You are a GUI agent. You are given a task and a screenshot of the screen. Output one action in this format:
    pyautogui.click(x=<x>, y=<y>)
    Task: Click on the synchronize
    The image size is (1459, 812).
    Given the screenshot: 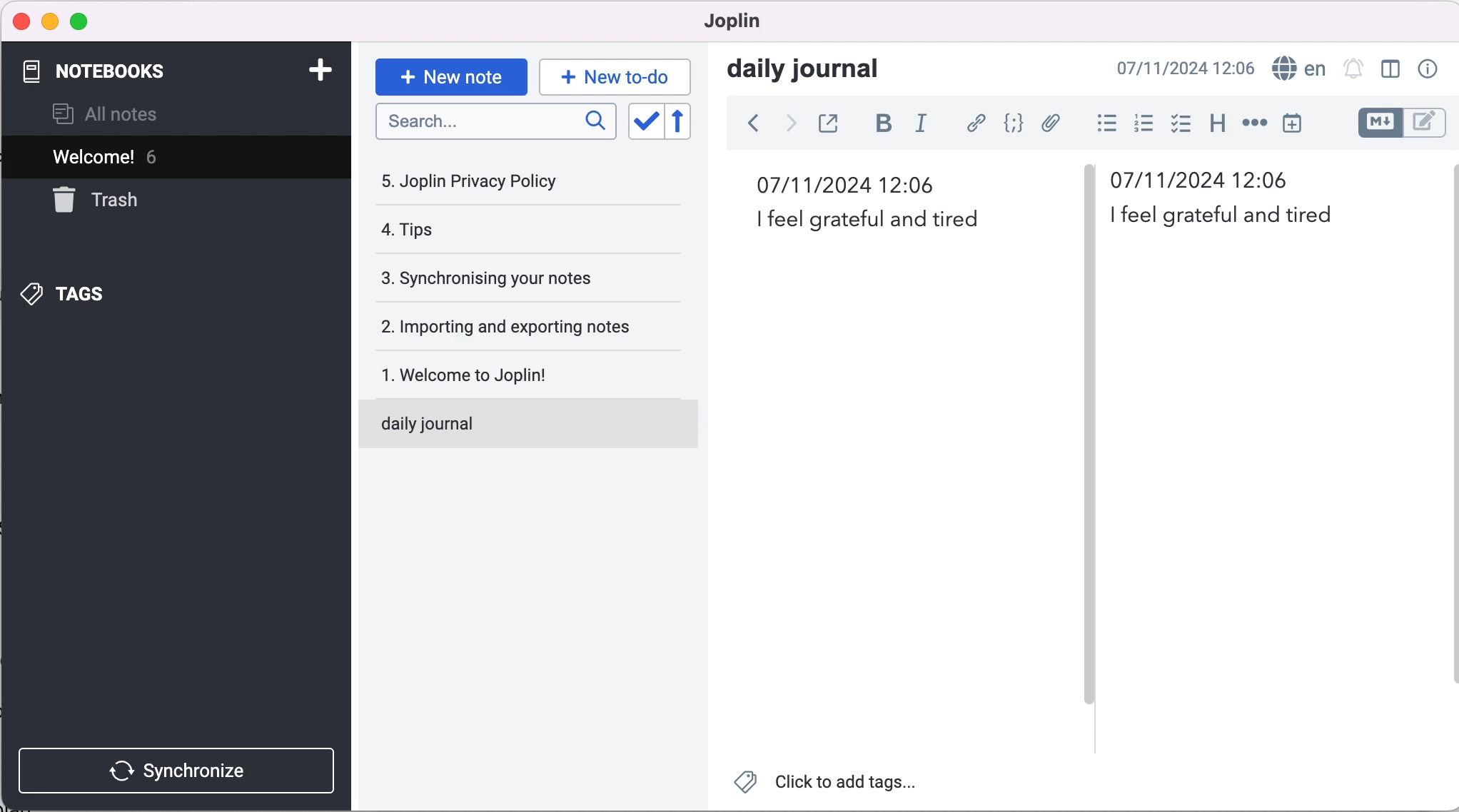 What is the action you would take?
    pyautogui.click(x=180, y=766)
    